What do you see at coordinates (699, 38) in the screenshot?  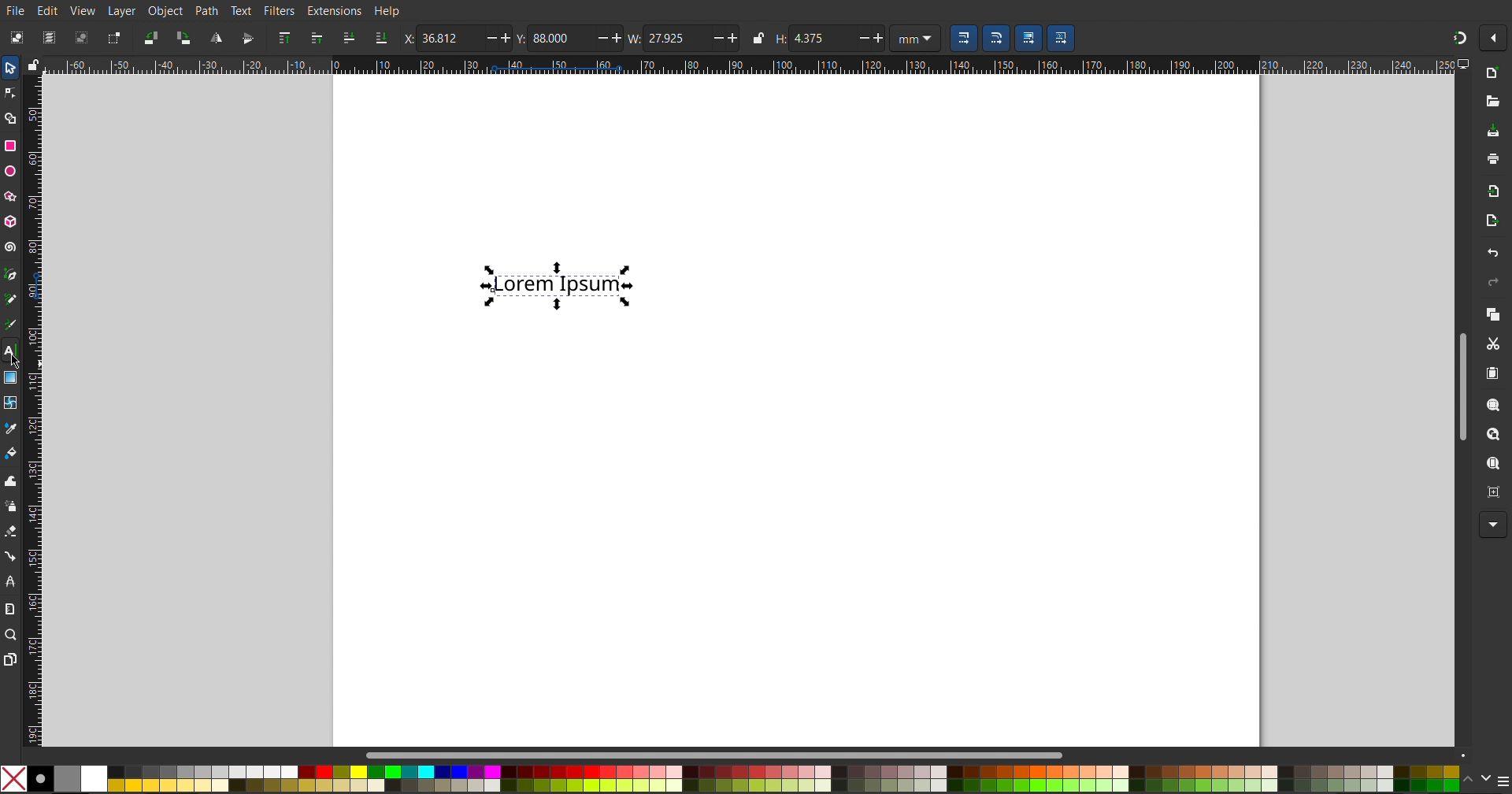 I see `Width` at bounding box center [699, 38].